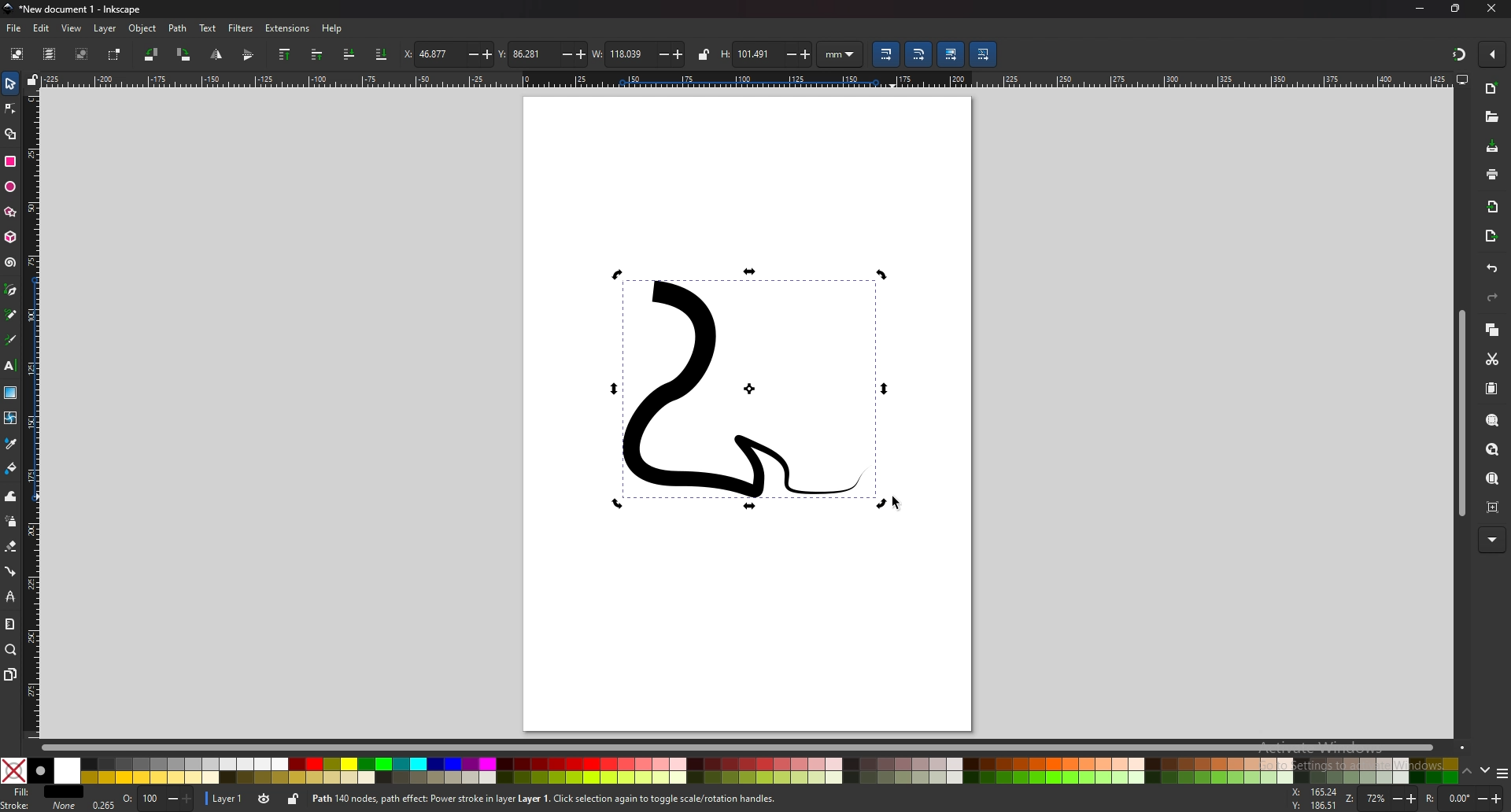 The image size is (1511, 812). Describe the element at coordinates (1461, 413) in the screenshot. I see `scroll bar` at that location.